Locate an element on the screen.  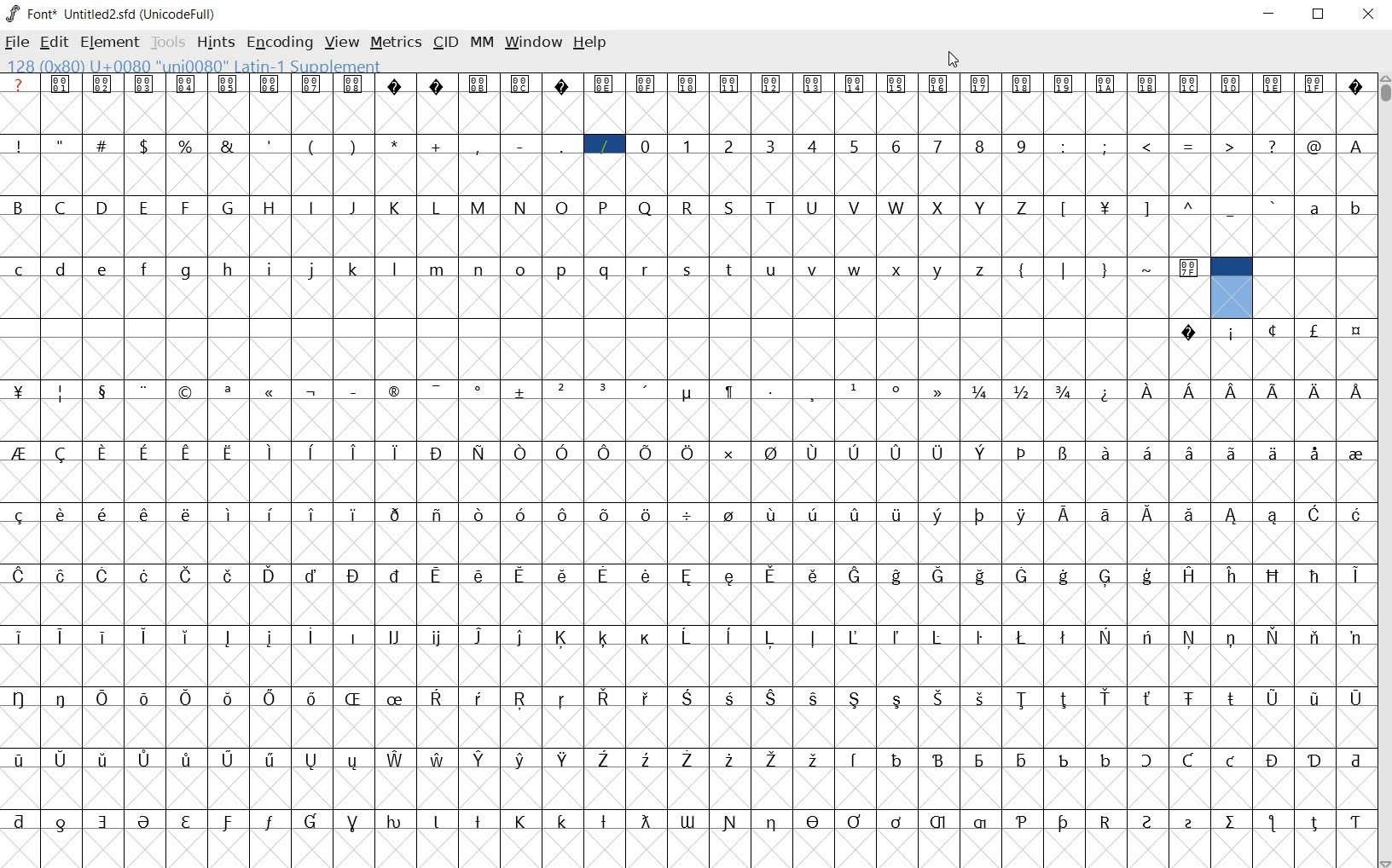
4 is located at coordinates (815, 147).